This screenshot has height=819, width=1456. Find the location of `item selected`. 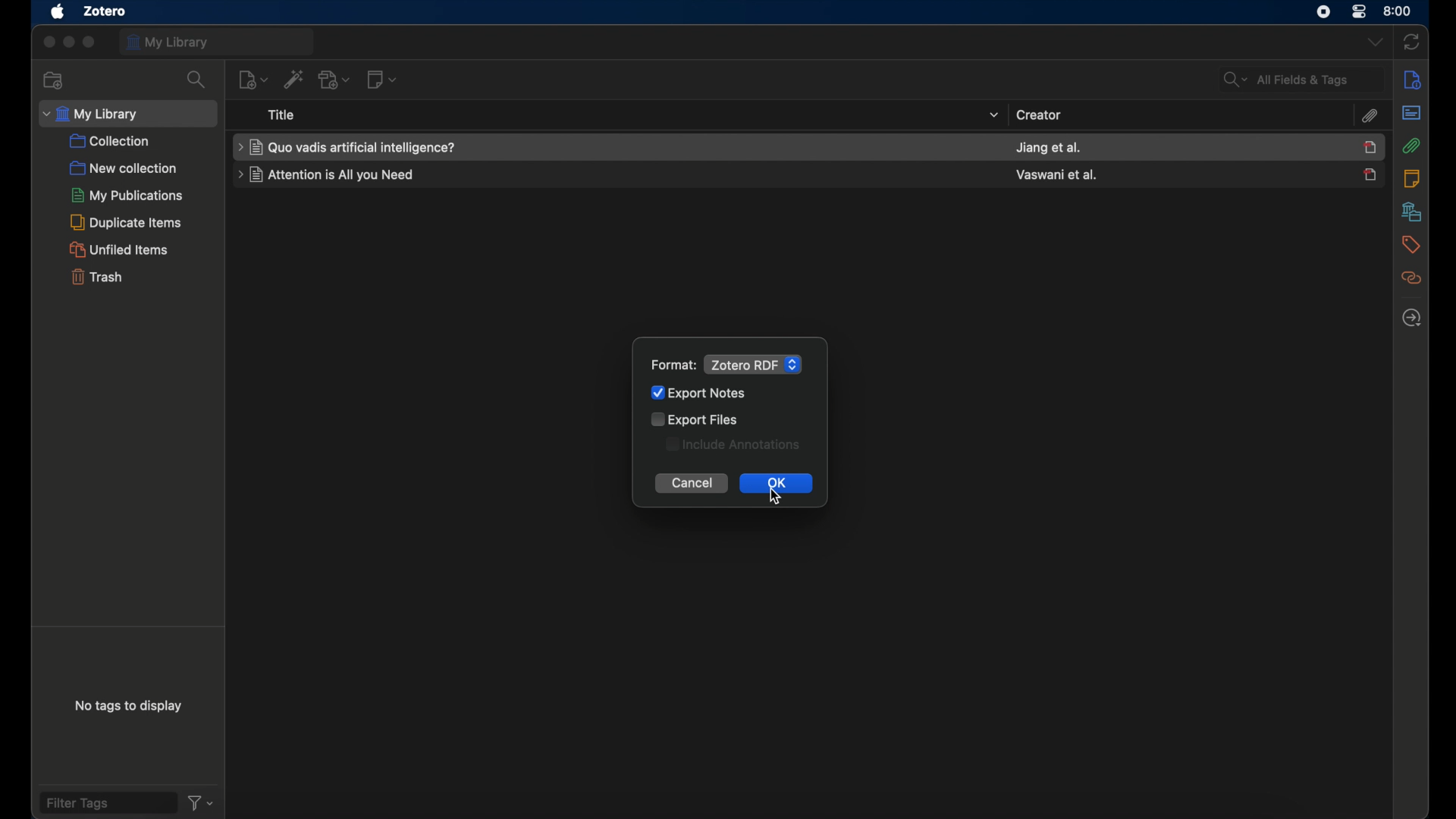

item selected is located at coordinates (1370, 146).